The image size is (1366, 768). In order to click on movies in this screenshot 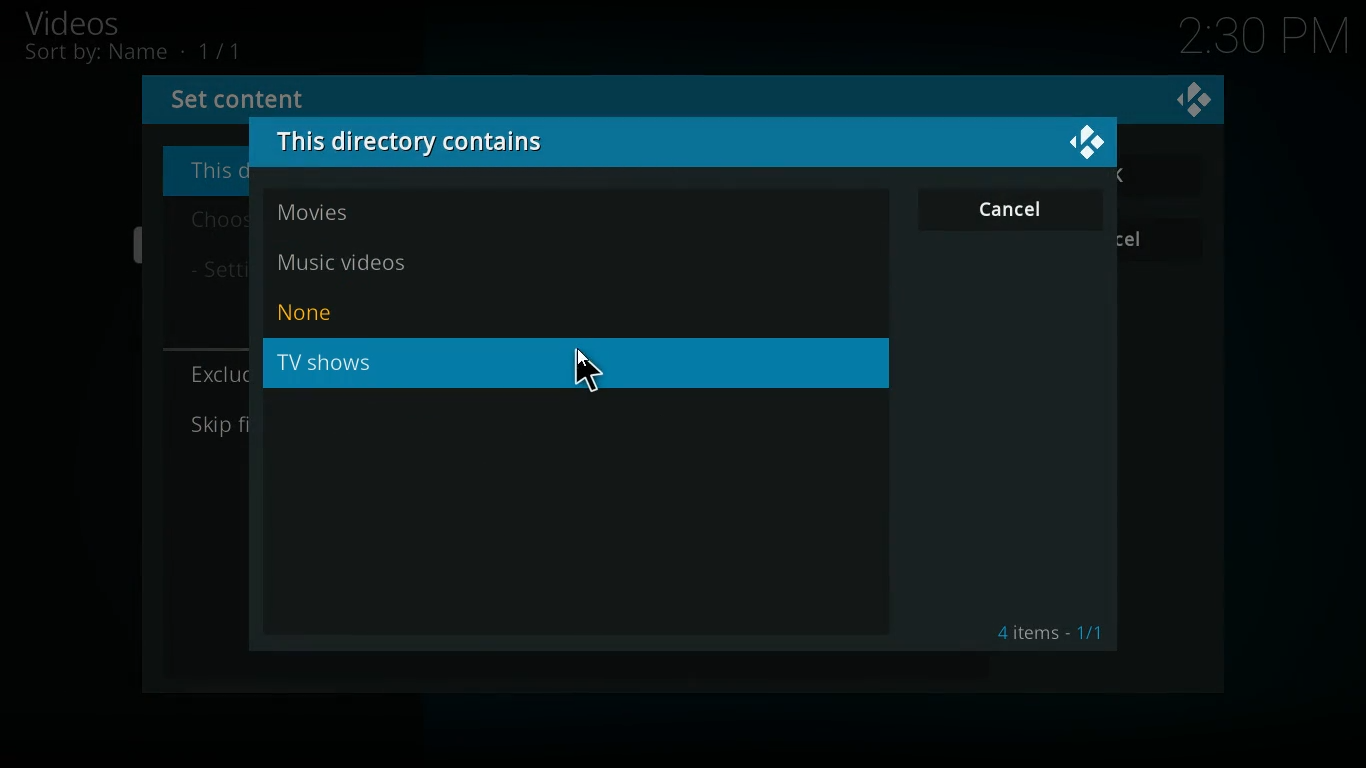, I will do `click(368, 214)`.